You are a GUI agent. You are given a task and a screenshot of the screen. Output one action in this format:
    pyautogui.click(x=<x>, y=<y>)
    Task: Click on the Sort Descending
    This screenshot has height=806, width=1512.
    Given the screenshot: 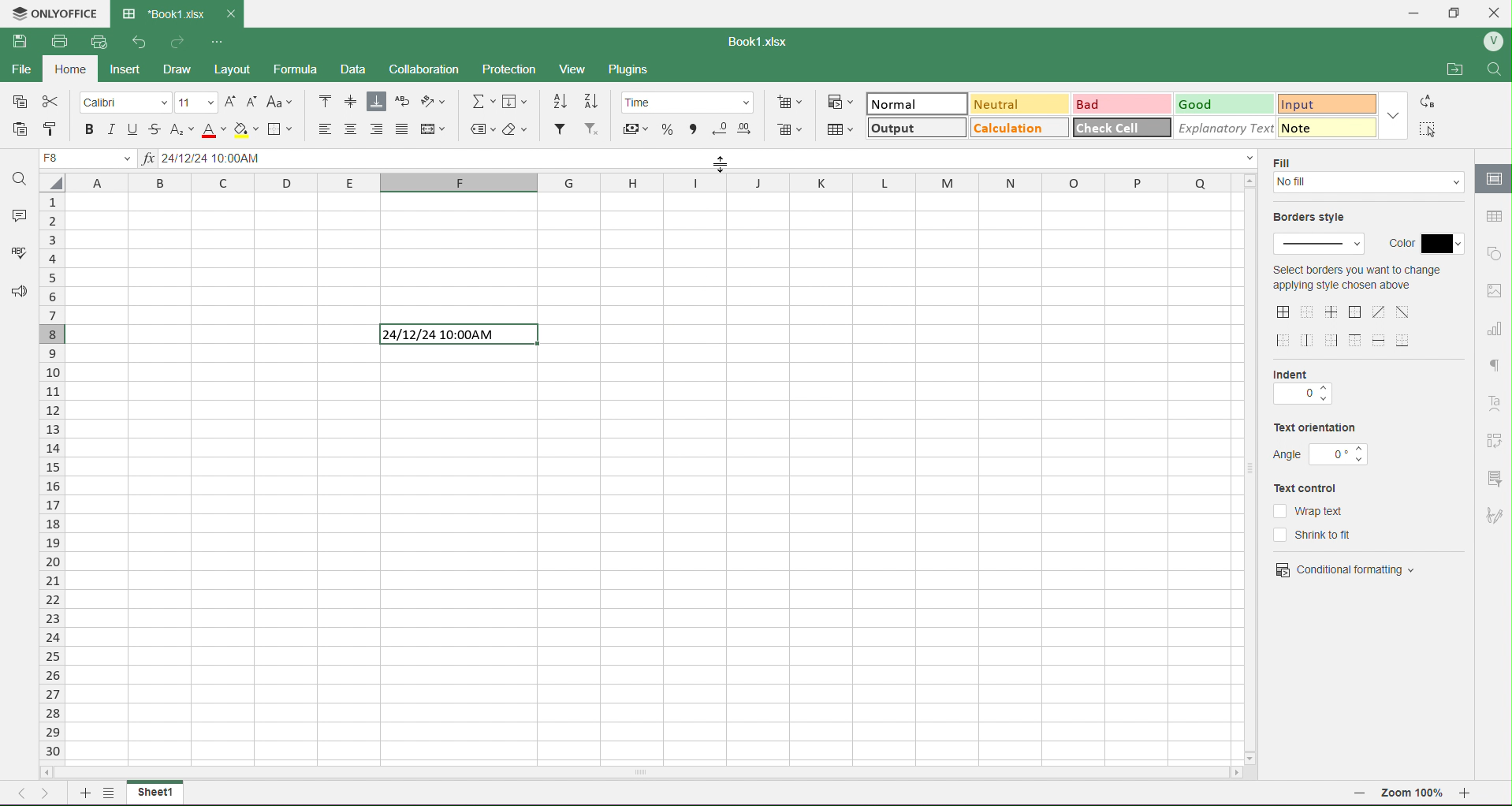 What is the action you would take?
    pyautogui.click(x=594, y=100)
    